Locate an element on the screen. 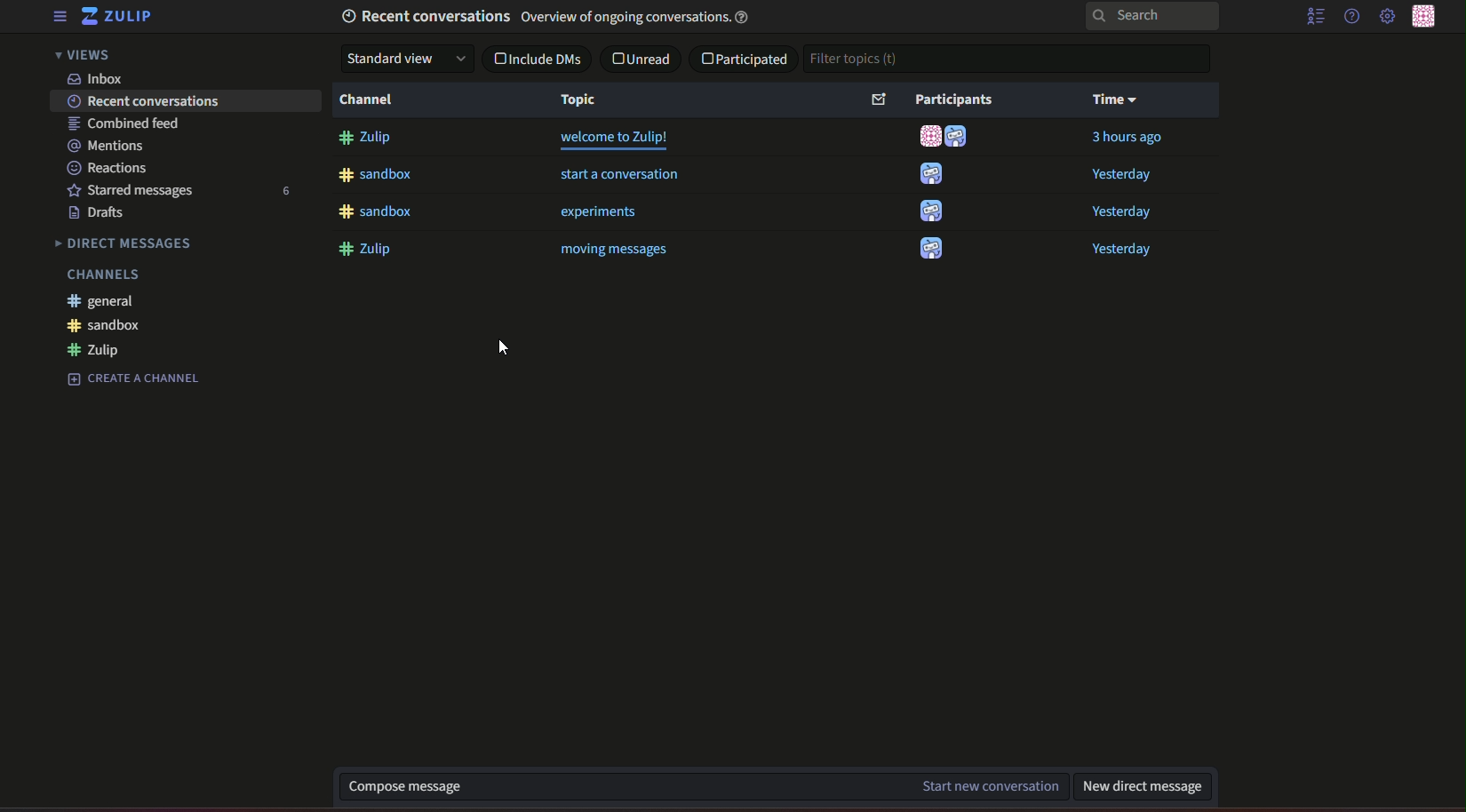 The image size is (1466, 812). Topic is located at coordinates (581, 101).